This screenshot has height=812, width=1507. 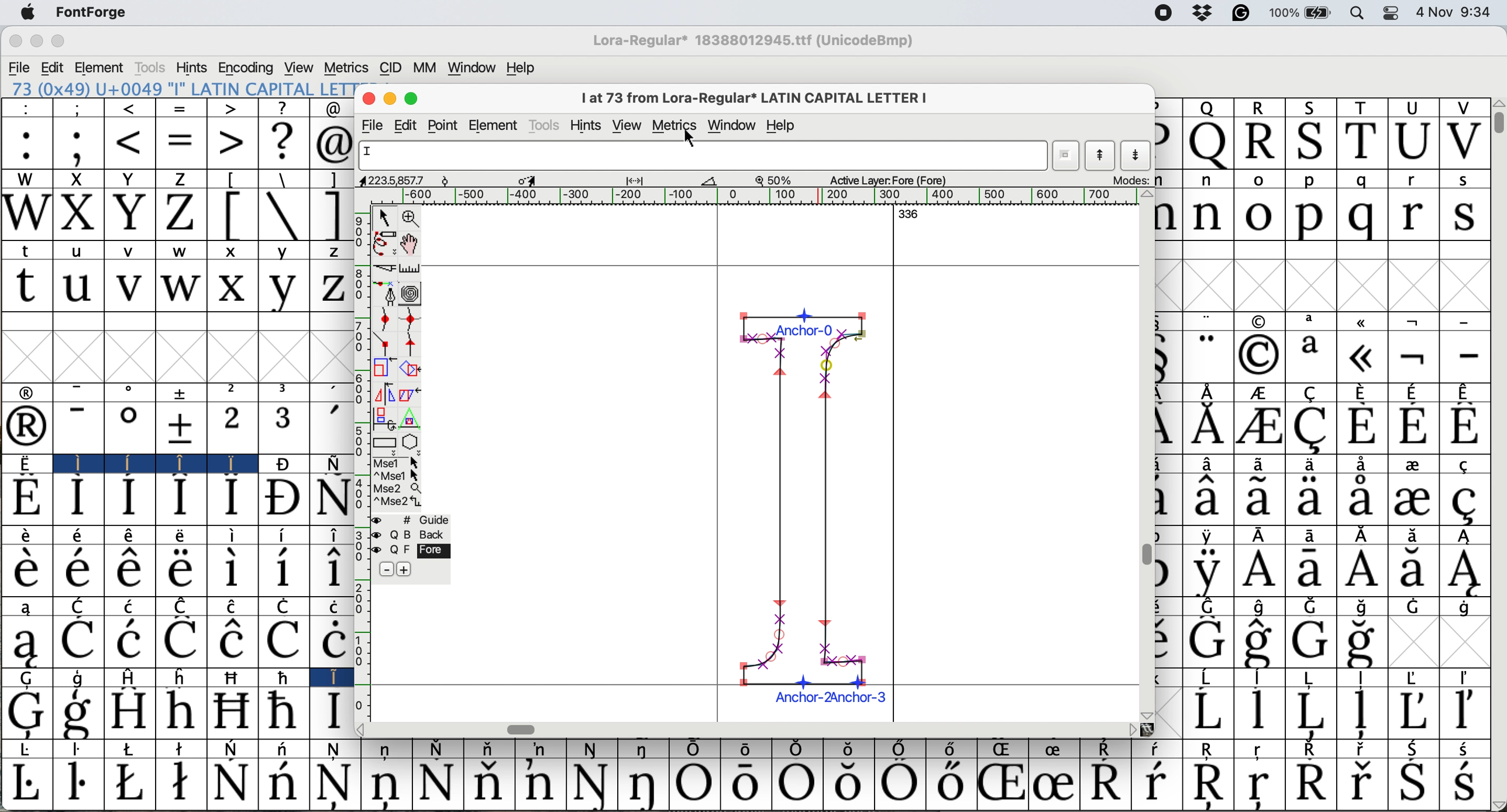 What do you see at coordinates (131, 109) in the screenshot?
I see `<` at bounding box center [131, 109].